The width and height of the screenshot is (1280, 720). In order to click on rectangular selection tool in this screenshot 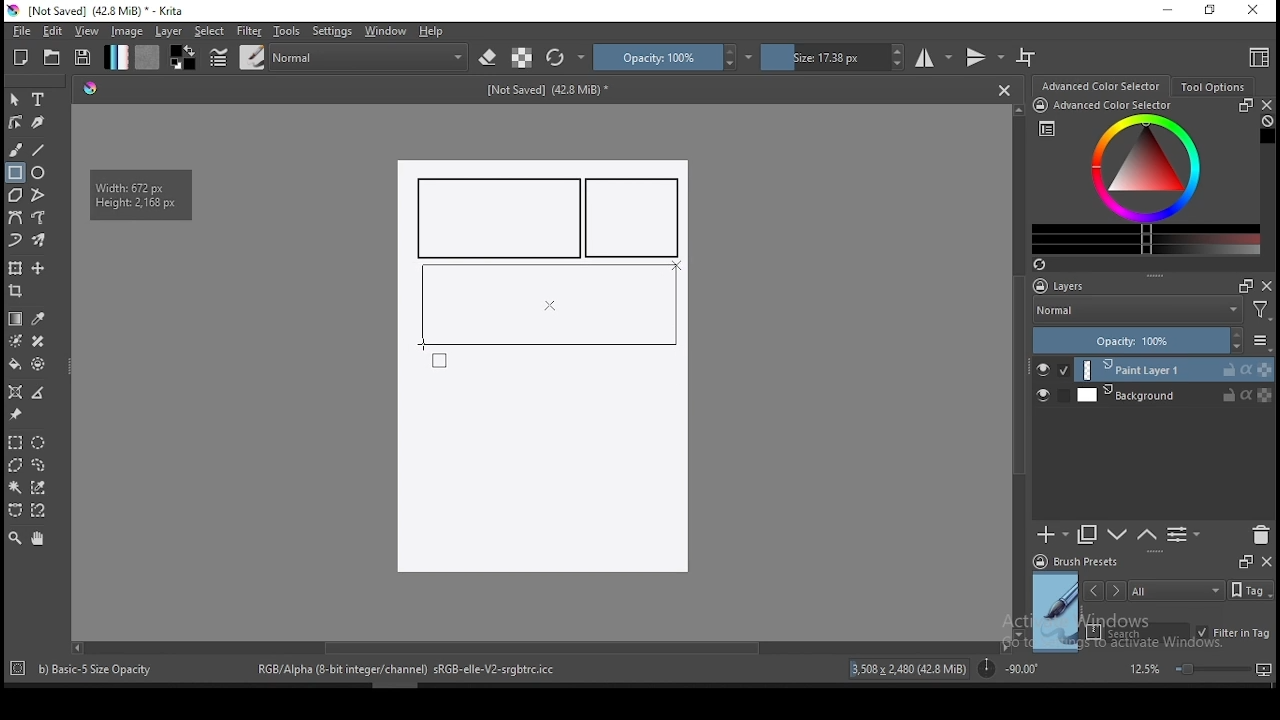, I will do `click(14, 442)`.